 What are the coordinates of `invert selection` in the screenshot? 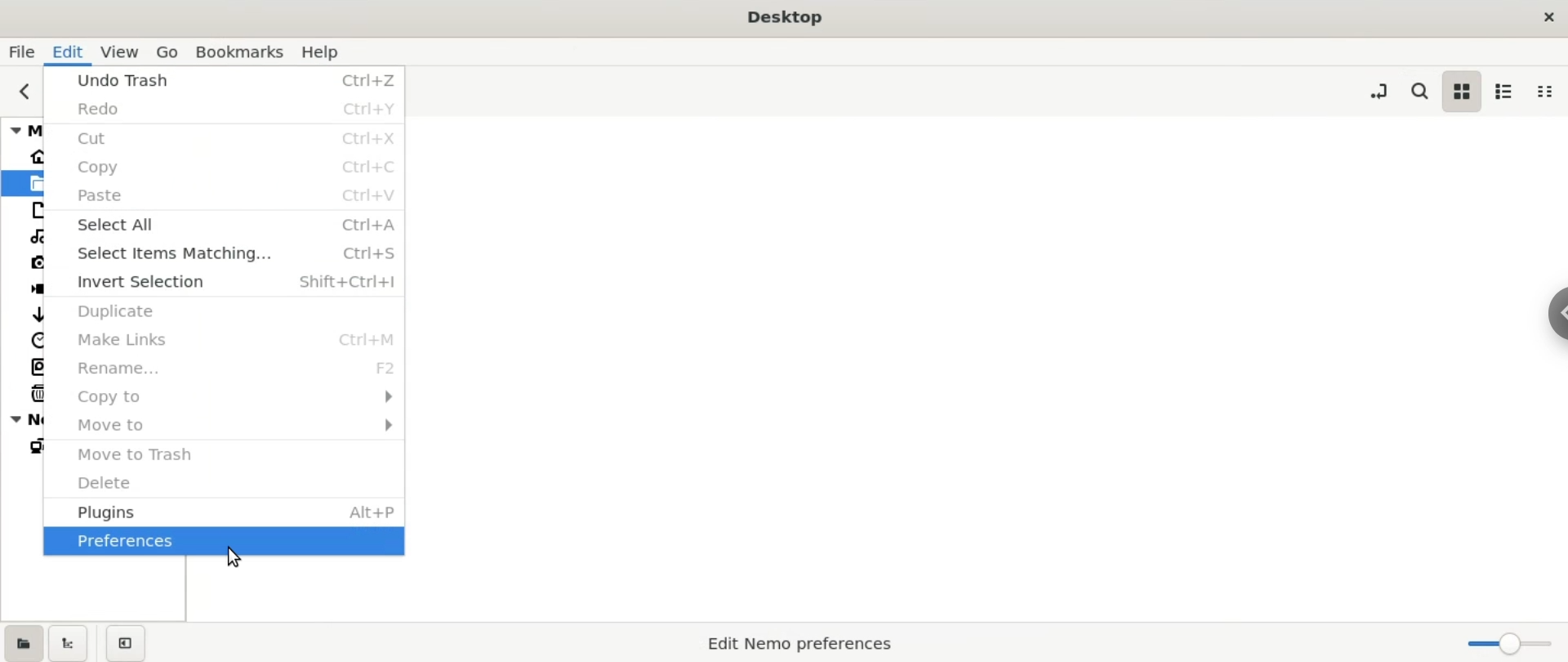 It's located at (228, 280).